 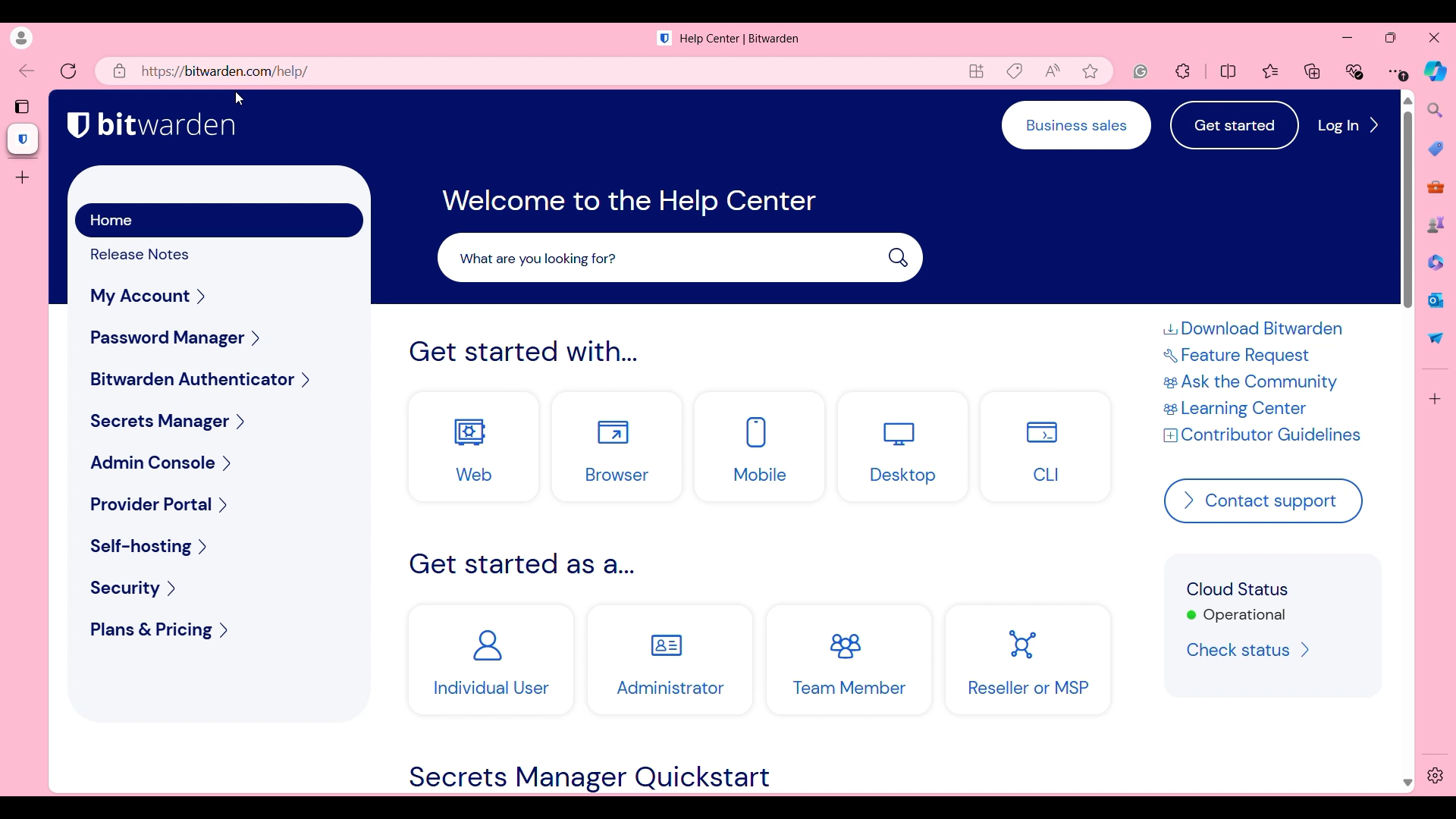 What do you see at coordinates (1436, 263) in the screenshot?
I see `Document editor` at bounding box center [1436, 263].